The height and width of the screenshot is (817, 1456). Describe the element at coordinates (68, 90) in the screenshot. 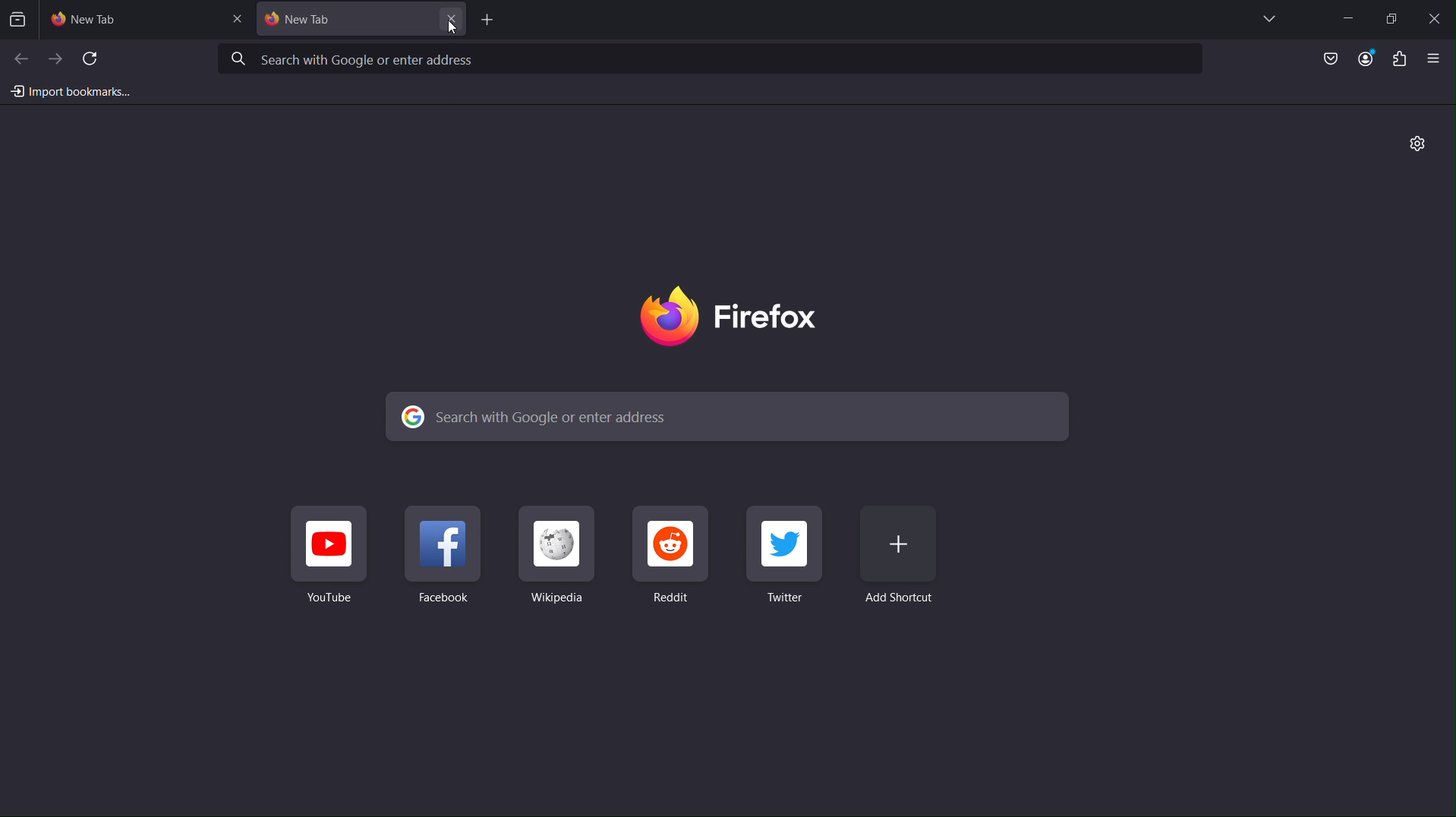

I see `Import Bookmarks` at that location.